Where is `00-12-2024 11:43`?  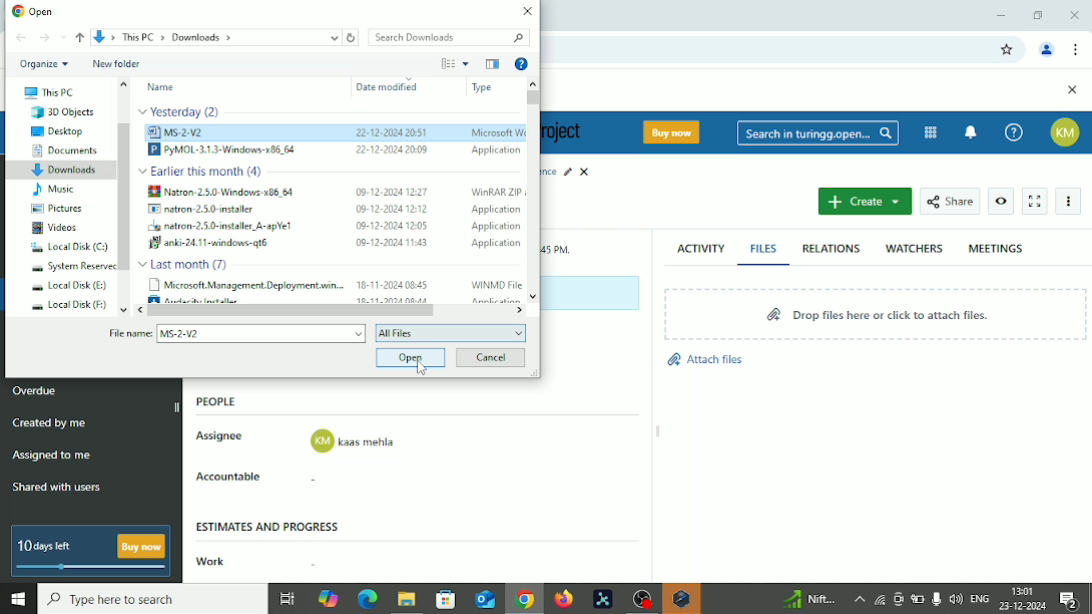
00-12-2024 11:43 is located at coordinates (392, 243).